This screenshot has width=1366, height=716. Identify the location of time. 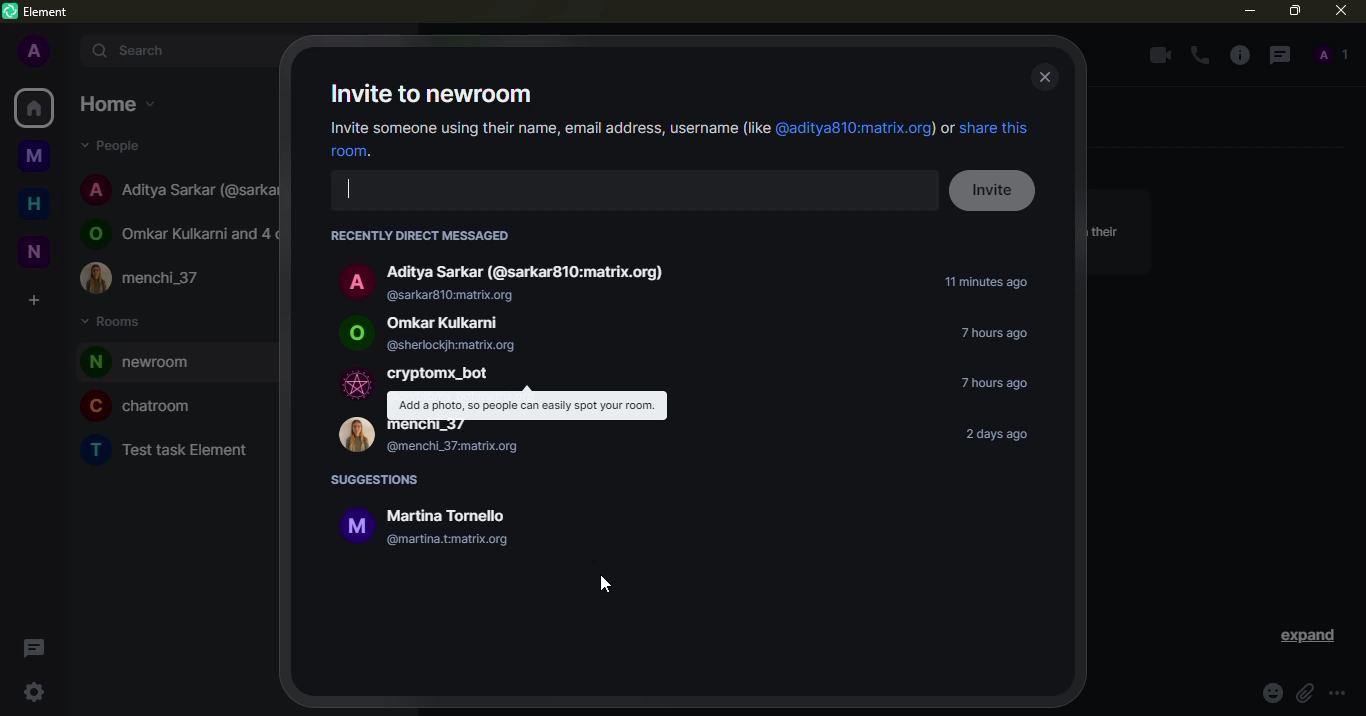
(983, 279).